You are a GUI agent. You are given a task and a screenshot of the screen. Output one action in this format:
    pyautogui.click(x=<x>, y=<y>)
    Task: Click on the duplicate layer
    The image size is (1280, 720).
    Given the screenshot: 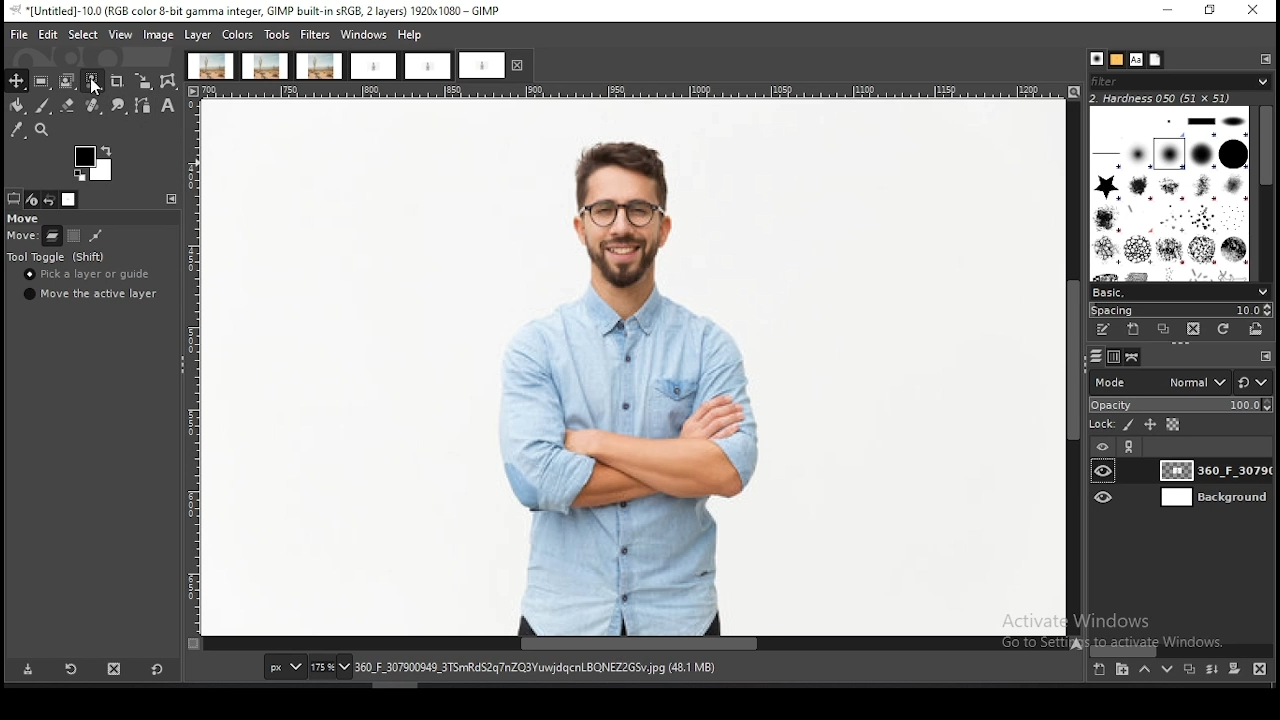 What is the action you would take?
    pyautogui.click(x=1187, y=668)
    